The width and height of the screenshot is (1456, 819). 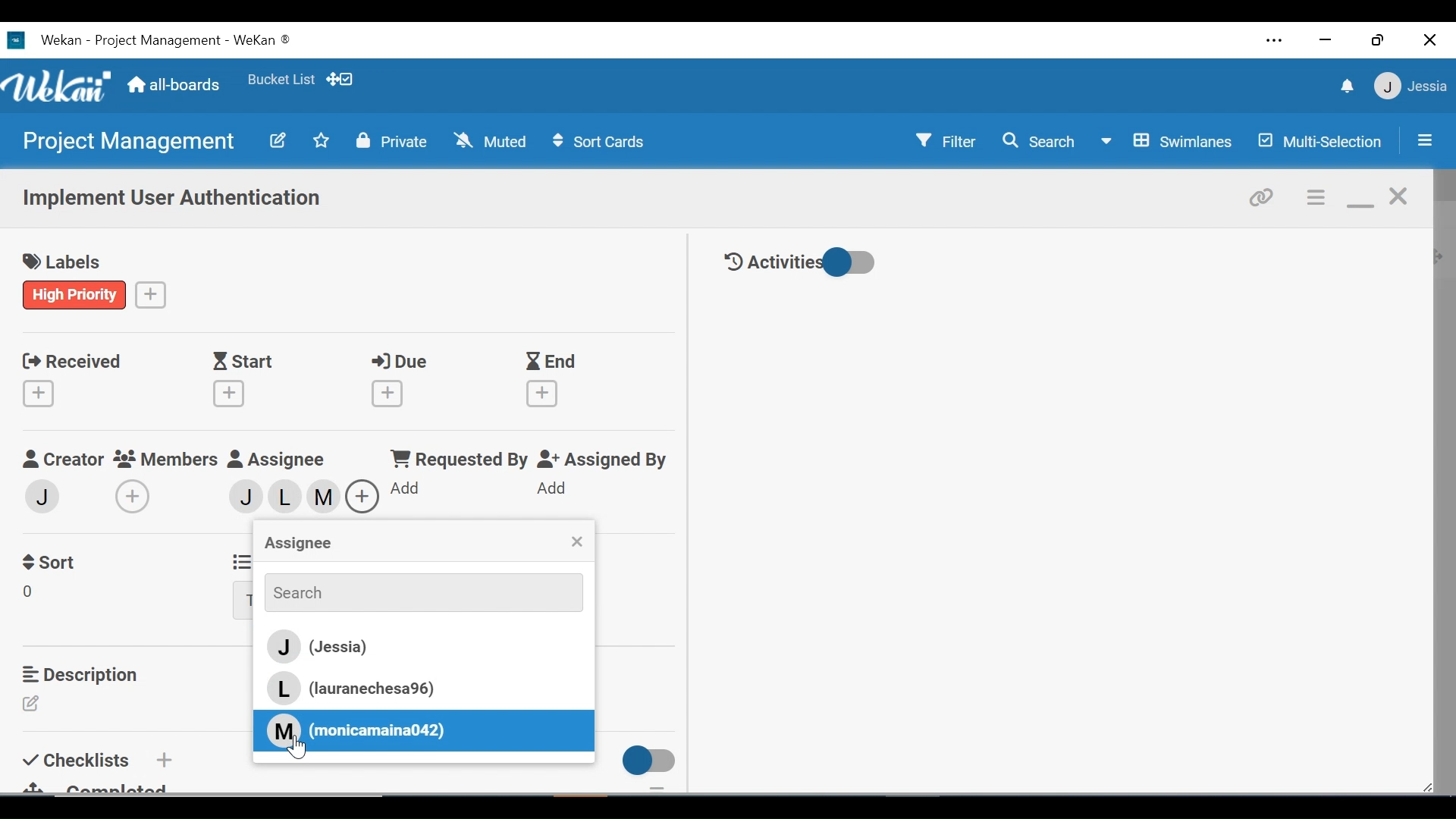 What do you see at coordinates (188, 38) in the screenshot?
I see `Wekan - project management - wekan` at bounding box center [188, 38].